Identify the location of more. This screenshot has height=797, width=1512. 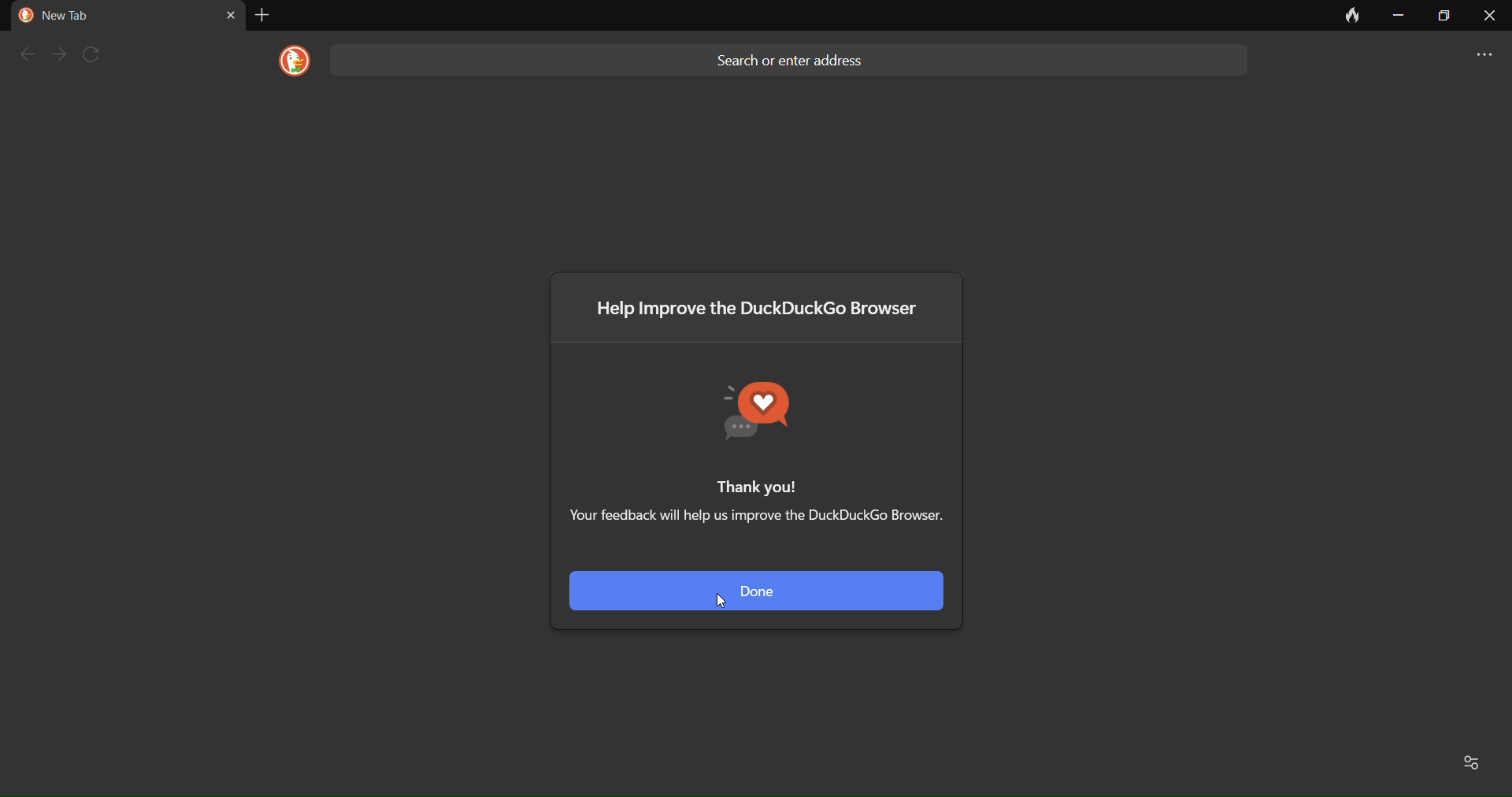
(1476, 57).